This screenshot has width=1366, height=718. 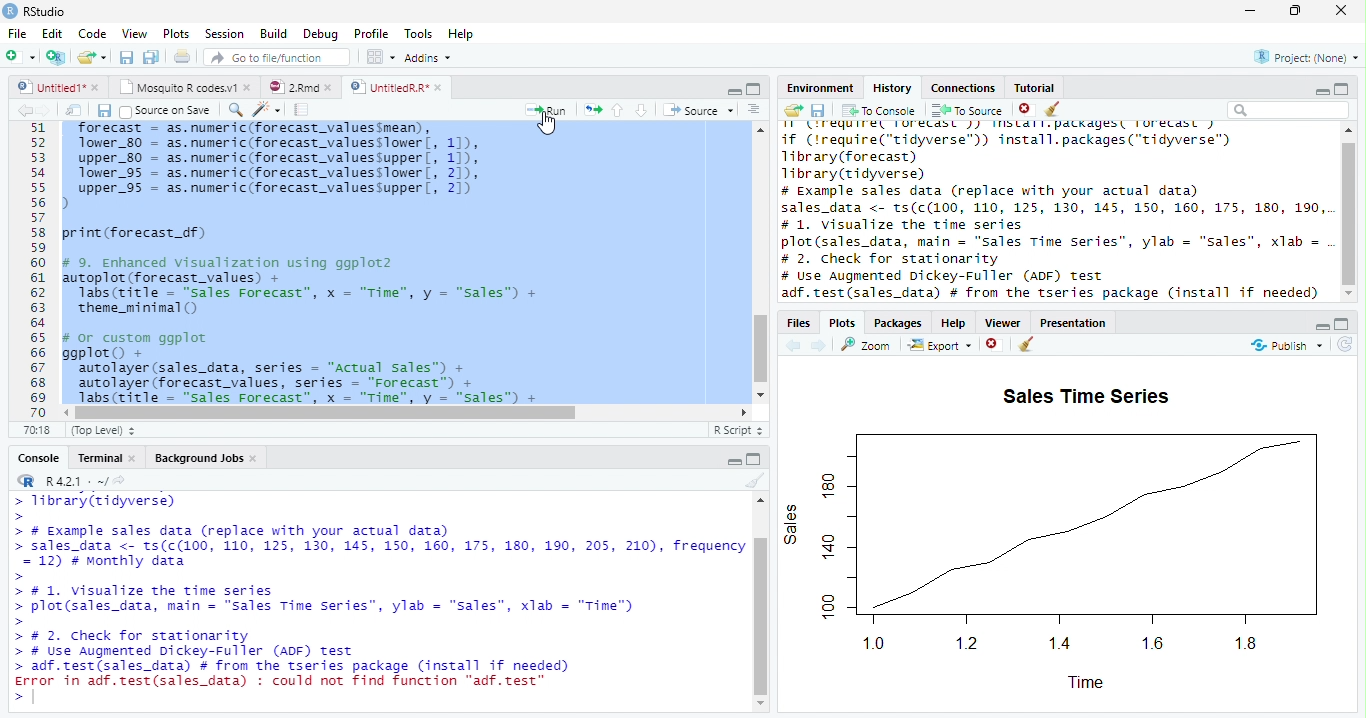 What do you see at coordinates (1057, 212) in the screenshot?
I see `17 (lrequire("tidyverse’)) install.packages("tidyverse’)
Tibrary (forecast)

Tibrary(tidyverse)

# Example sales data (replace with your actual data)

sales_data <- ts(c(100, 110, 125, 130, 145, 150, 160, 175, 180, 190,
#1. visualize the time series

plot(sales_data, main = "sales Time Series”, ylab = “sales”, xlab =
#2. Check for stationarity

# Use Augmented Dickey-Fuller (ADF) test

ull. tart Cuties etd # Thue the taeries sbane Clastall IF smmlinl)` at bounding box center [1057, 212].